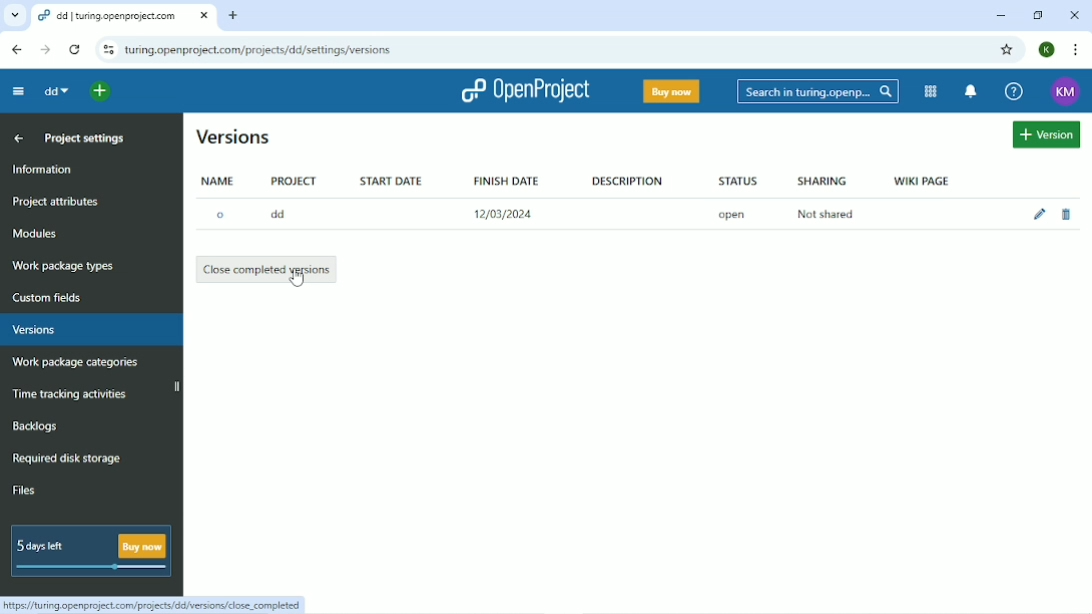 Image resolution: width=1092 pixels, height=614 pixels. I want to click on Account, so click(1049, 49).